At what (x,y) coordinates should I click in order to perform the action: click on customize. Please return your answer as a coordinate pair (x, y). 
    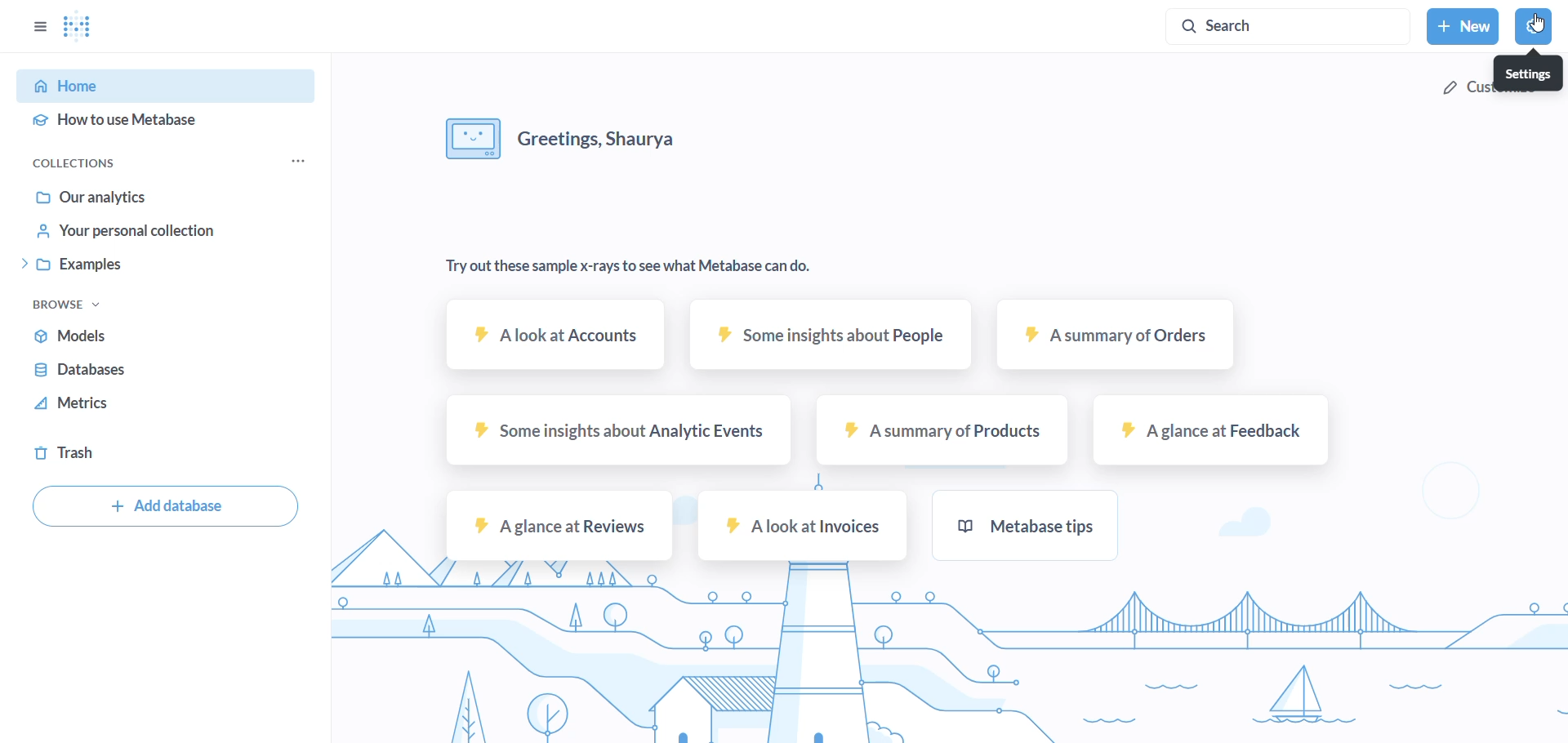
    Looking at the image, I should click on (1489, 87).